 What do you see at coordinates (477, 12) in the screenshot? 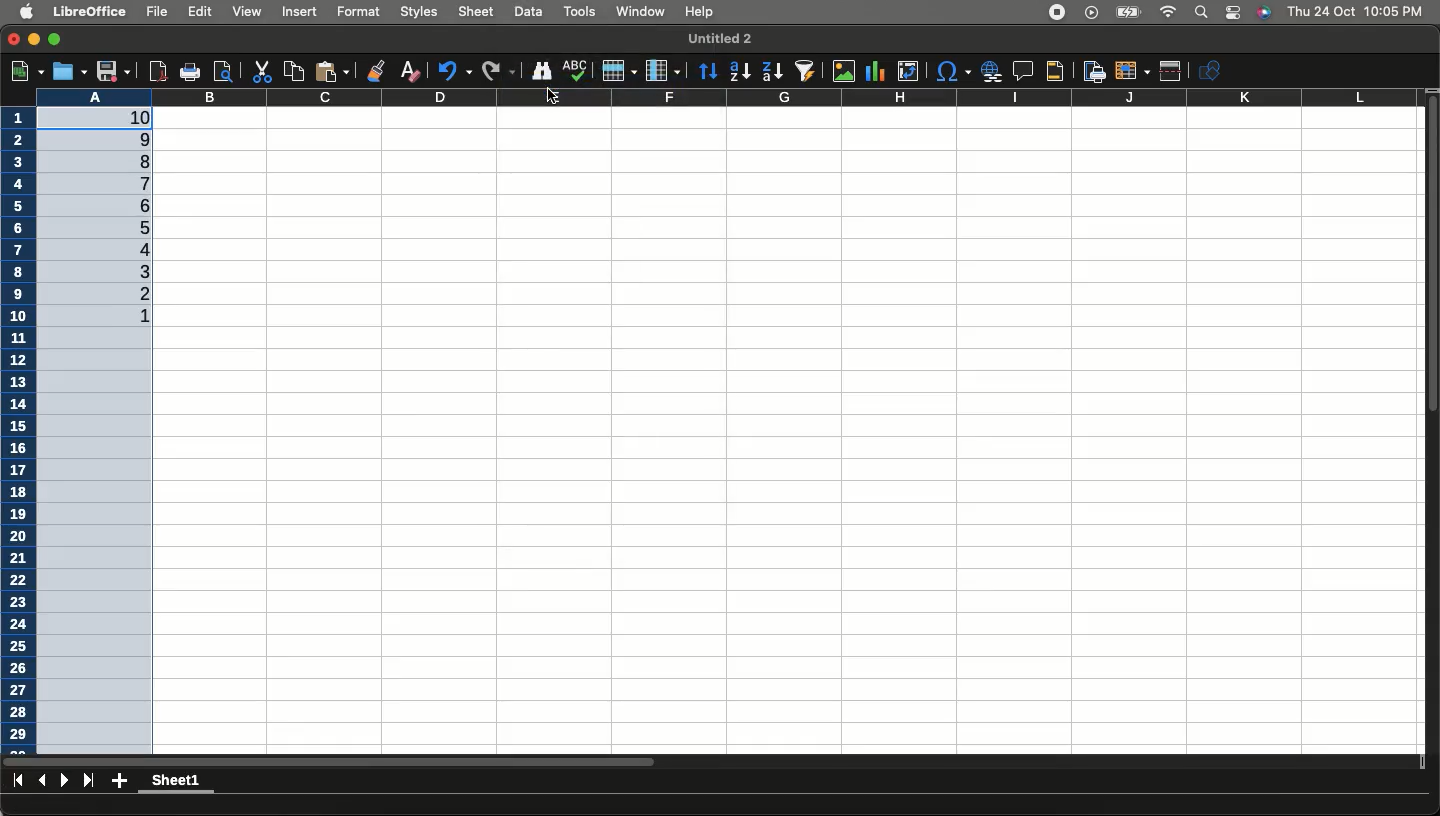
I see `Sheet` at bounding box center [477, 12].